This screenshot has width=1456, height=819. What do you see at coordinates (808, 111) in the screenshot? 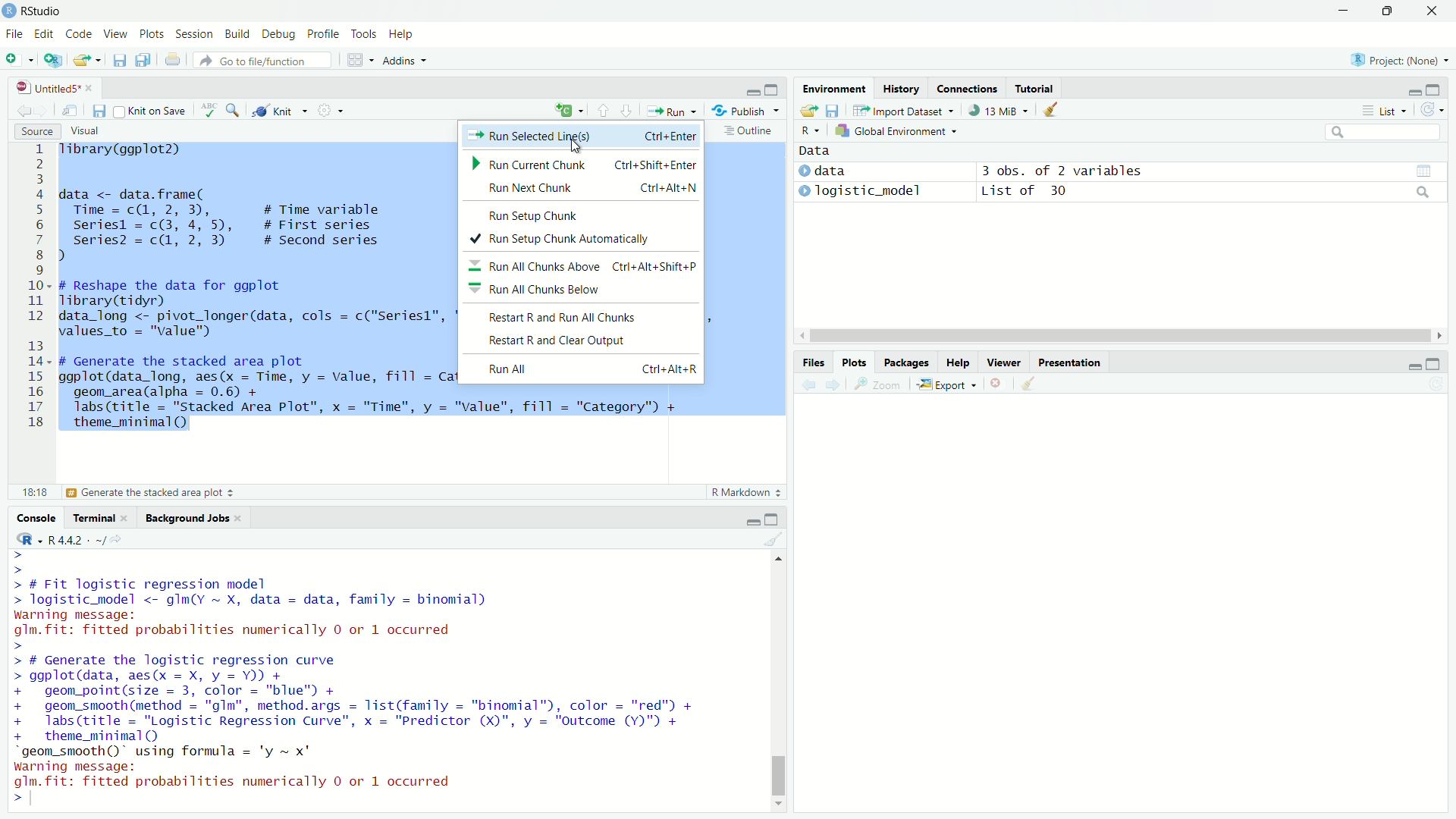
I see `save` at bounding box center [808, 111].